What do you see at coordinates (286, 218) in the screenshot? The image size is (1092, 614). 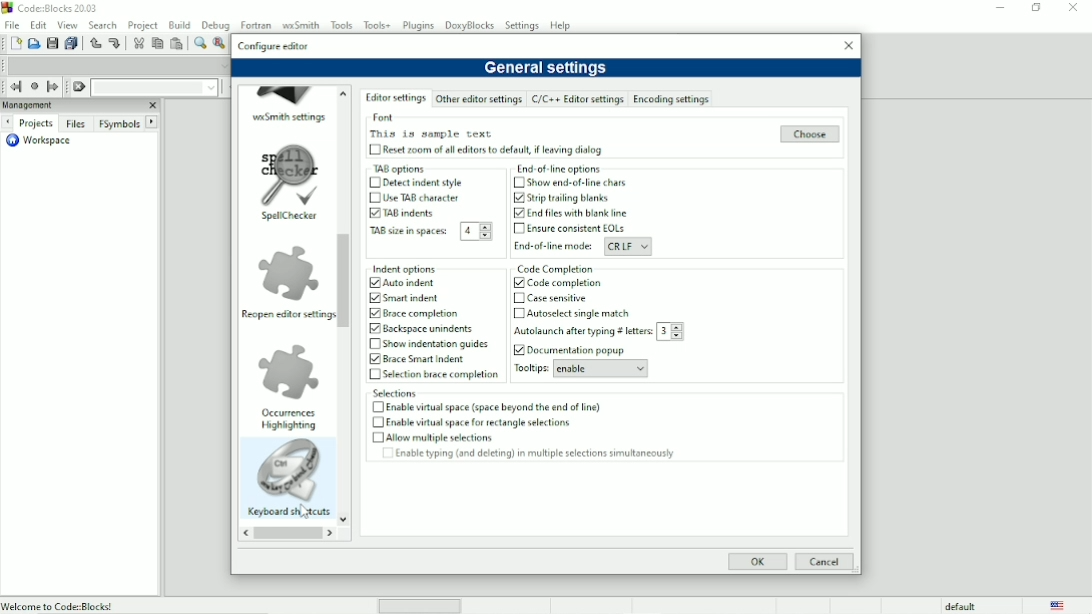 I see `Spellchecker` at bounding box center [286, 218].